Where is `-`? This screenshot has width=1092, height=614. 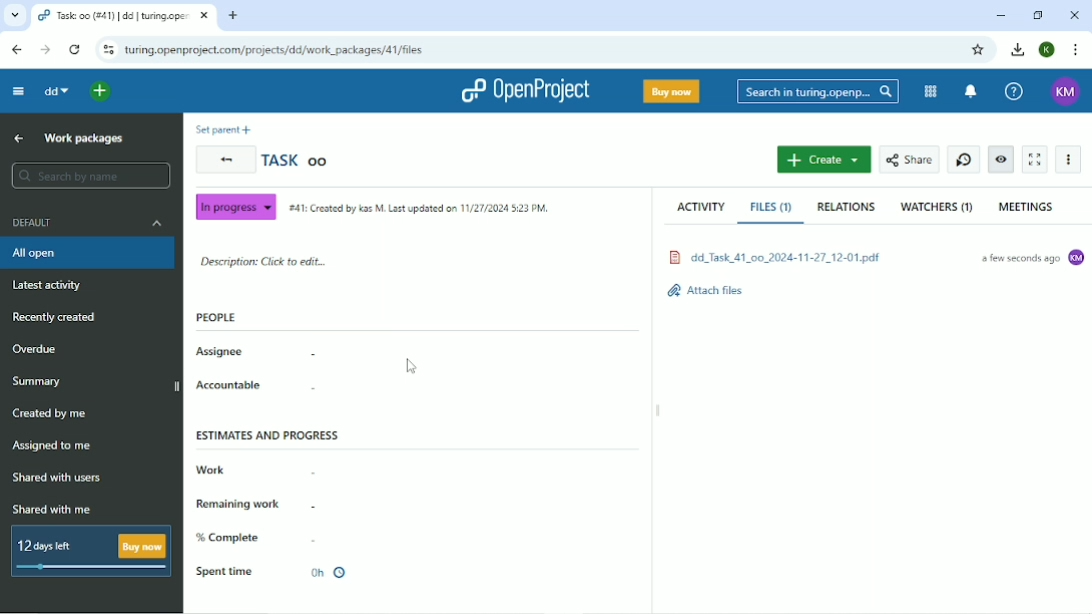
- is located at coordinates (318, 469).